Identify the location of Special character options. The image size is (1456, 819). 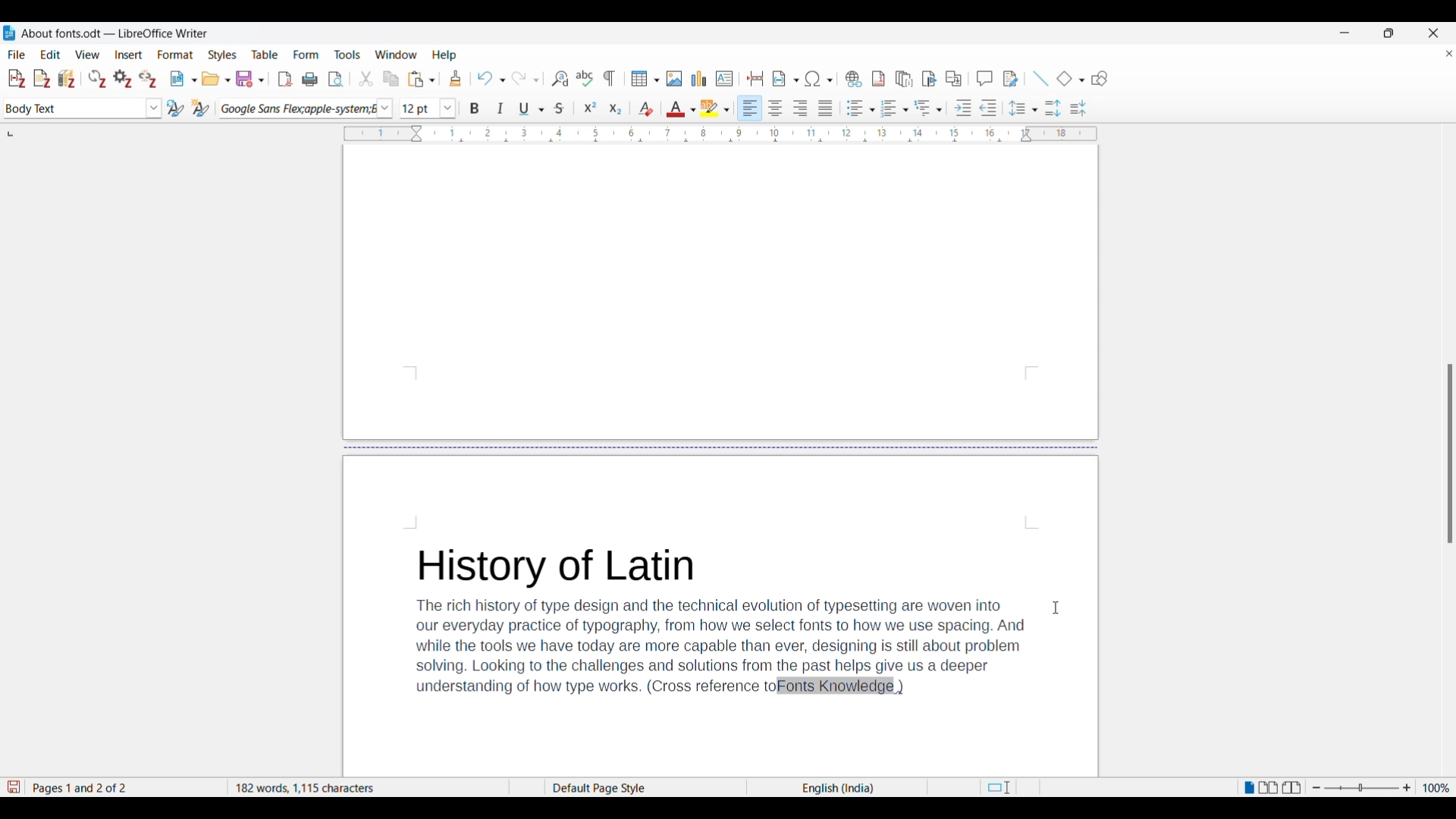
(819, 78).